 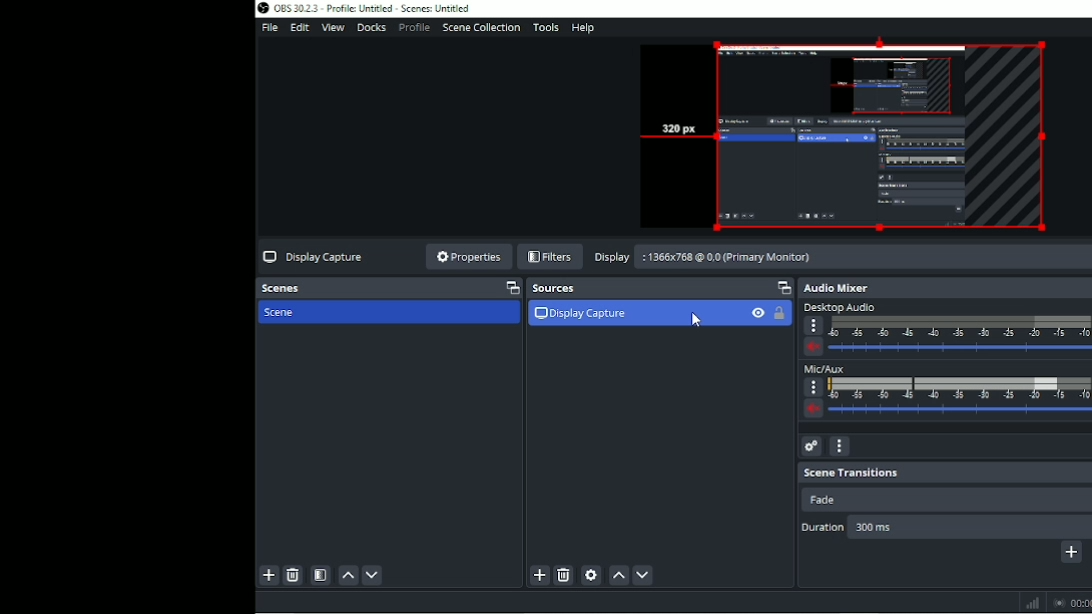 I want to click on Audio mixer, so click(x=839, y=287).